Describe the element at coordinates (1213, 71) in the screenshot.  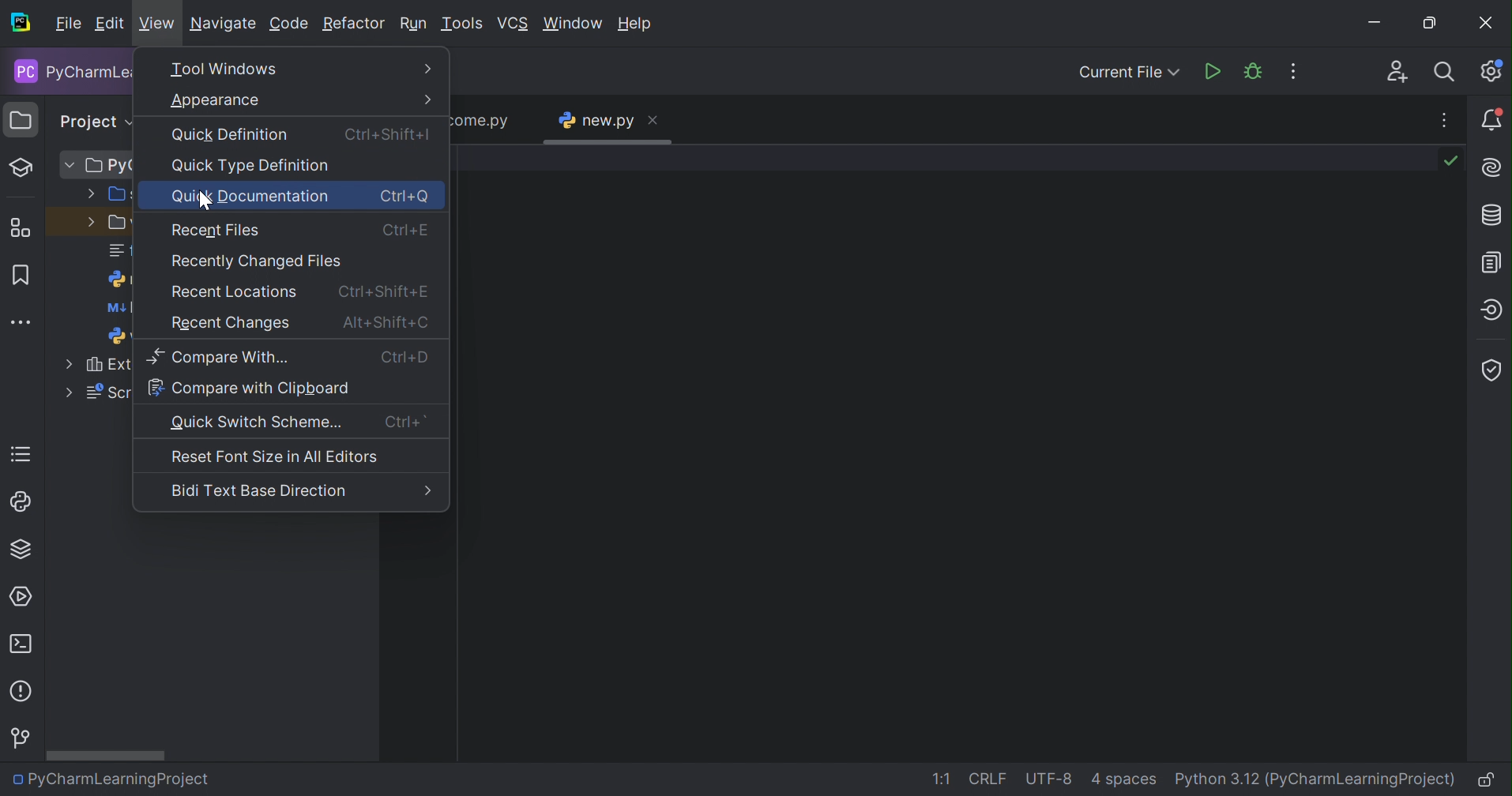
I see `Run 'new.py''` at that location.